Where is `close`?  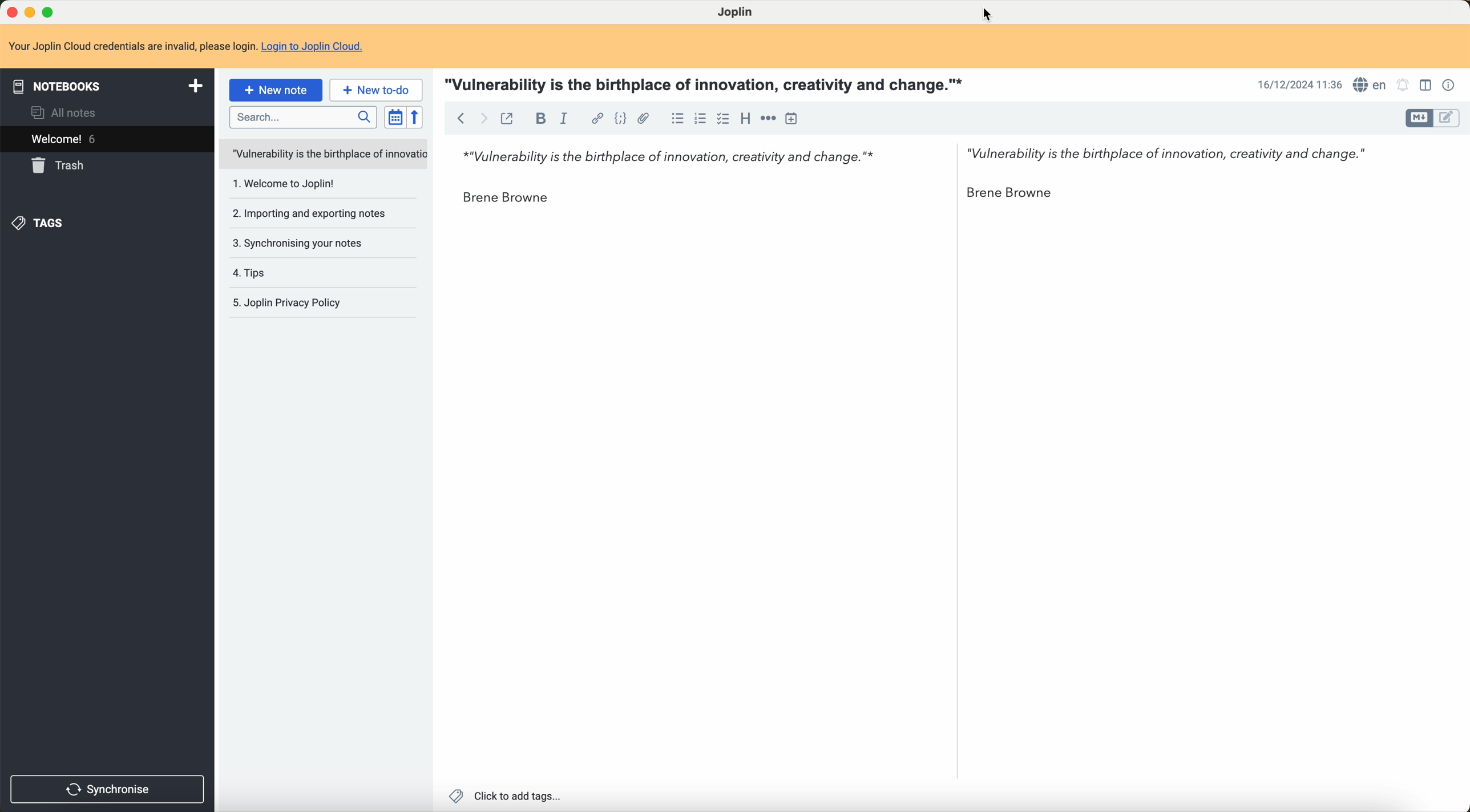
close is located at coordinates (10, 11).